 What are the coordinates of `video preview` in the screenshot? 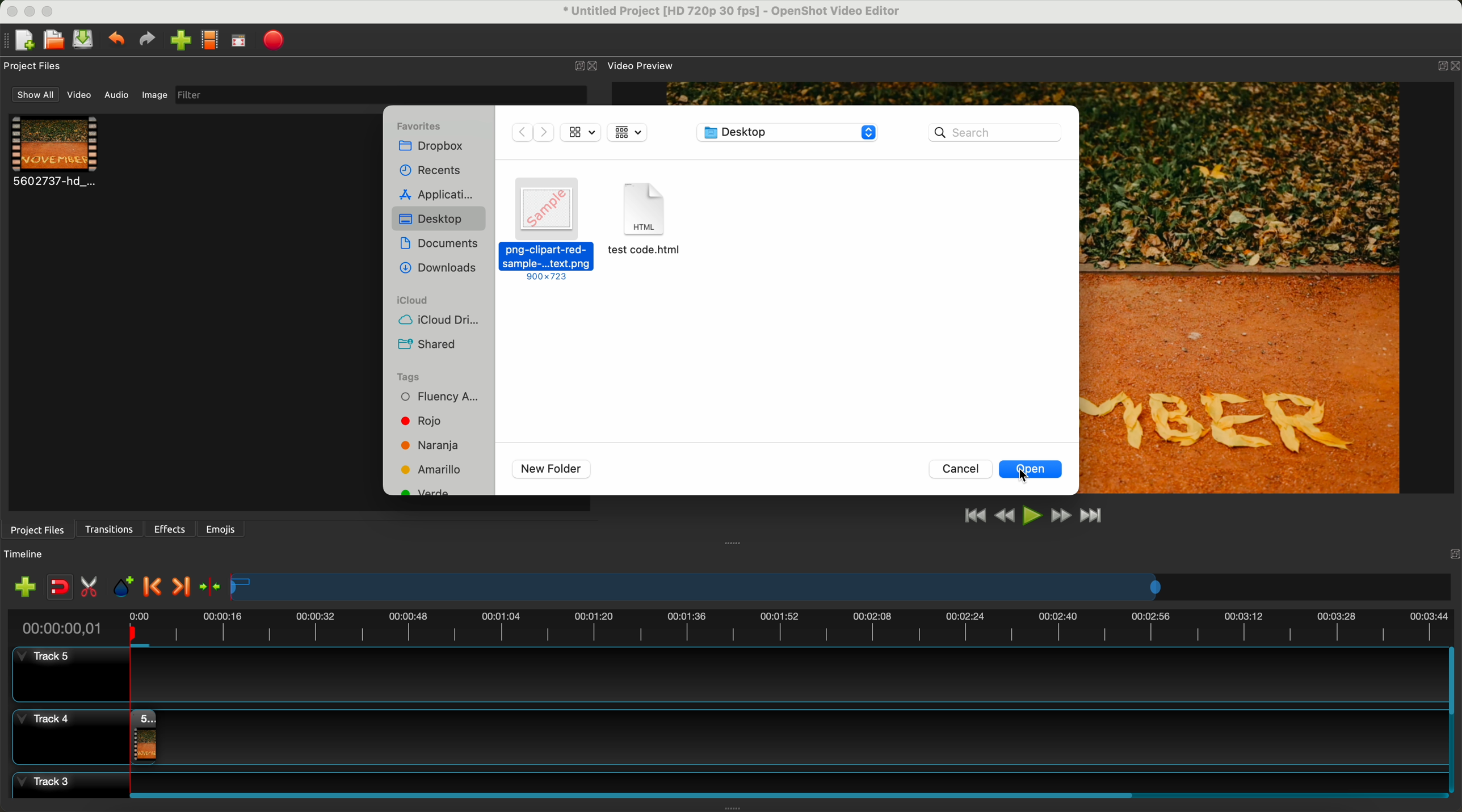 It's located at (640, 66).